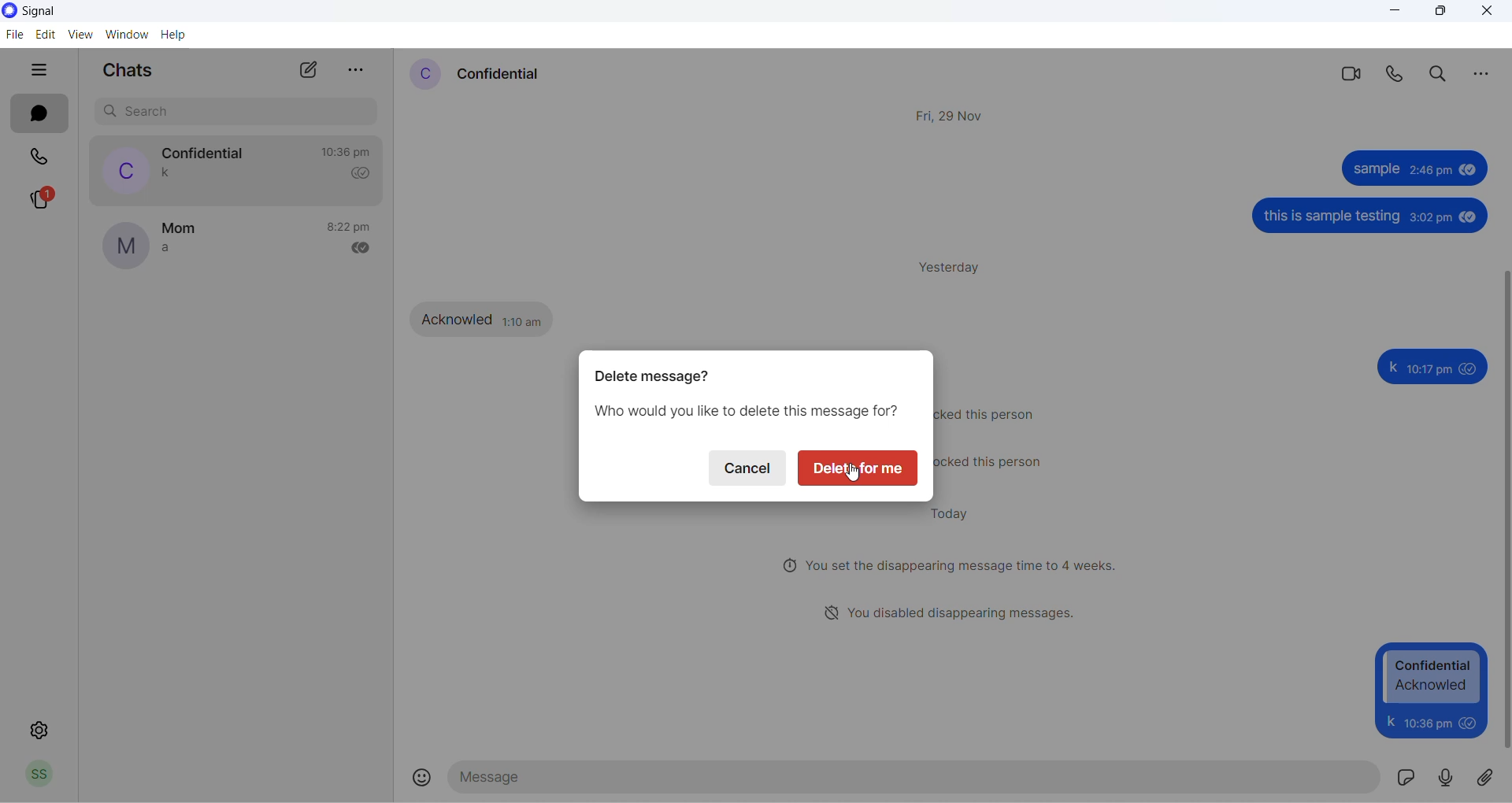 This screenshot has height=803, width=1512. I want to click on voice call, so click(1399, 71).